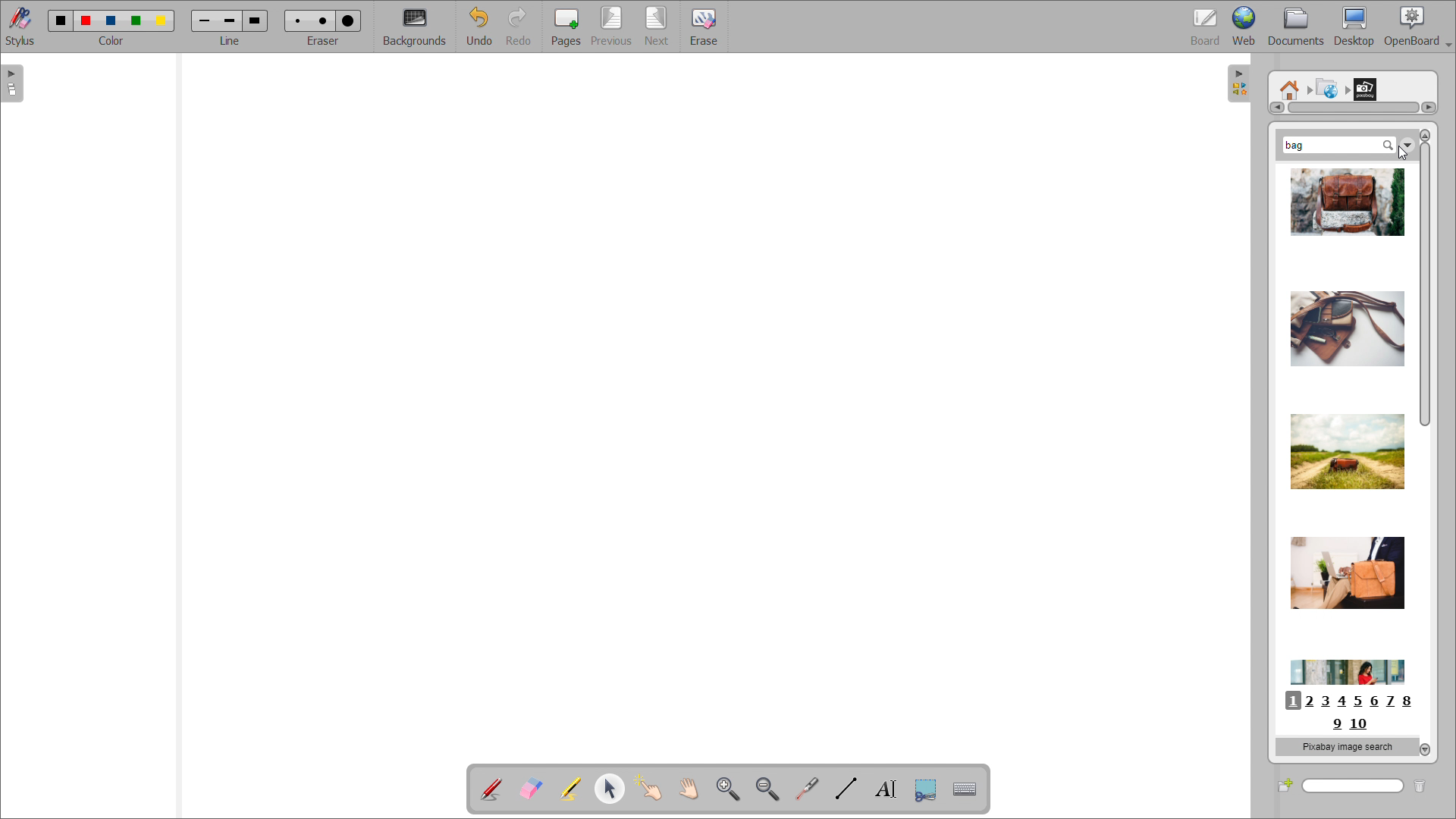  Describe the element at coordinates (112, 41) in the screenshot. I see `color` at that location.